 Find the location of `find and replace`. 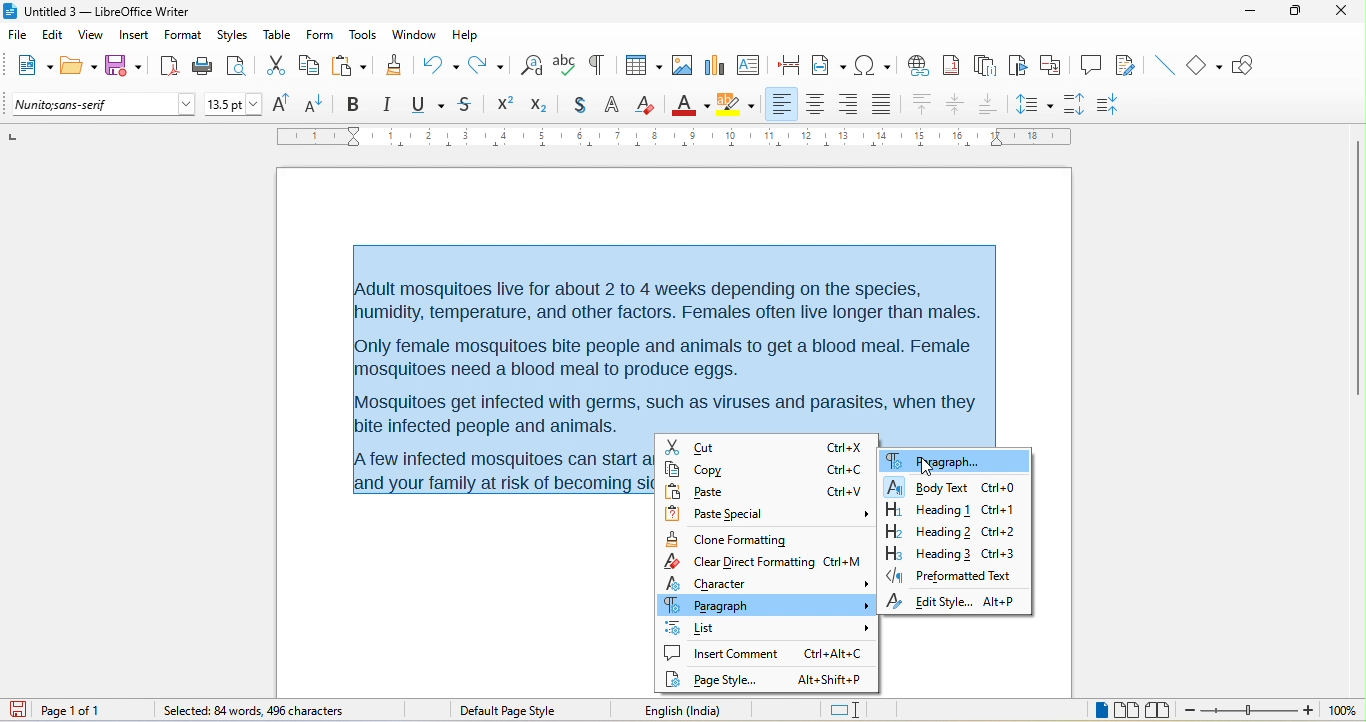

find and replace is located at coordinates (532, 64).